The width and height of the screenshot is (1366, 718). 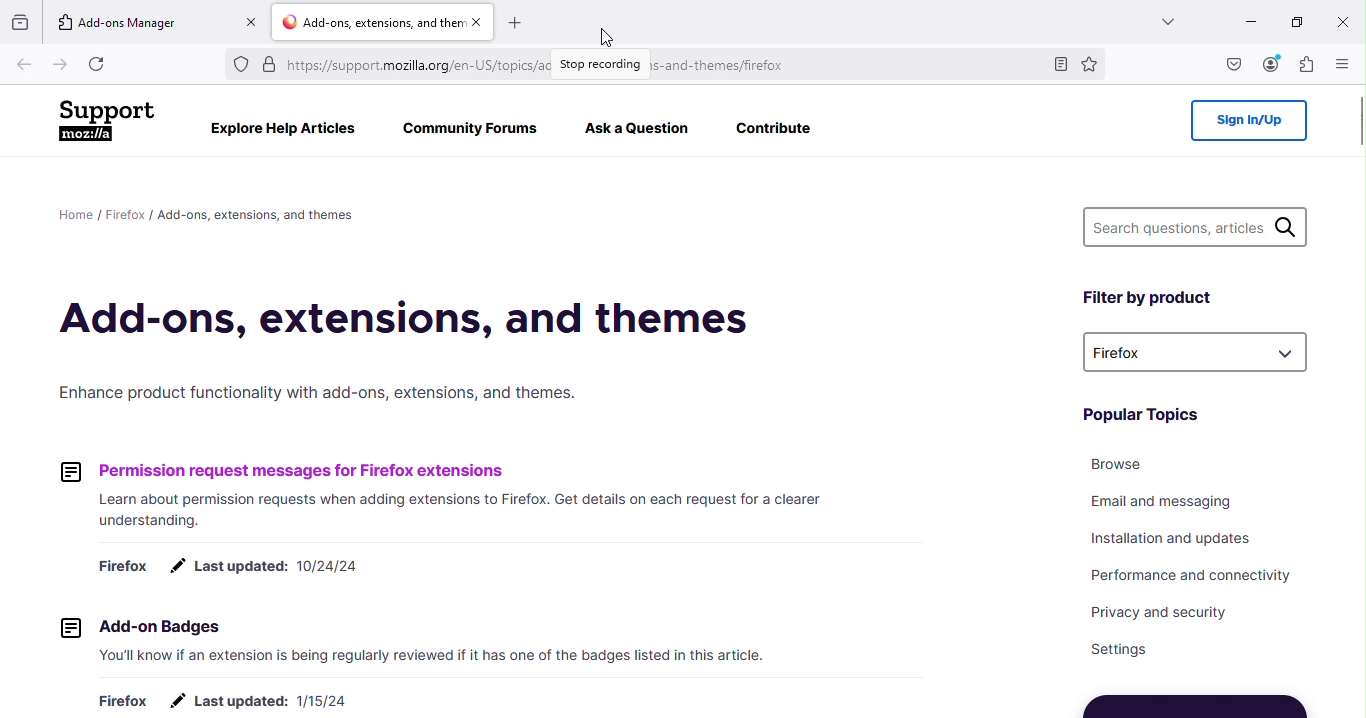 What do you see at coordinates (1131, 466) in the screenshot?
I see `Browse` at bounding box center [1131, 466].